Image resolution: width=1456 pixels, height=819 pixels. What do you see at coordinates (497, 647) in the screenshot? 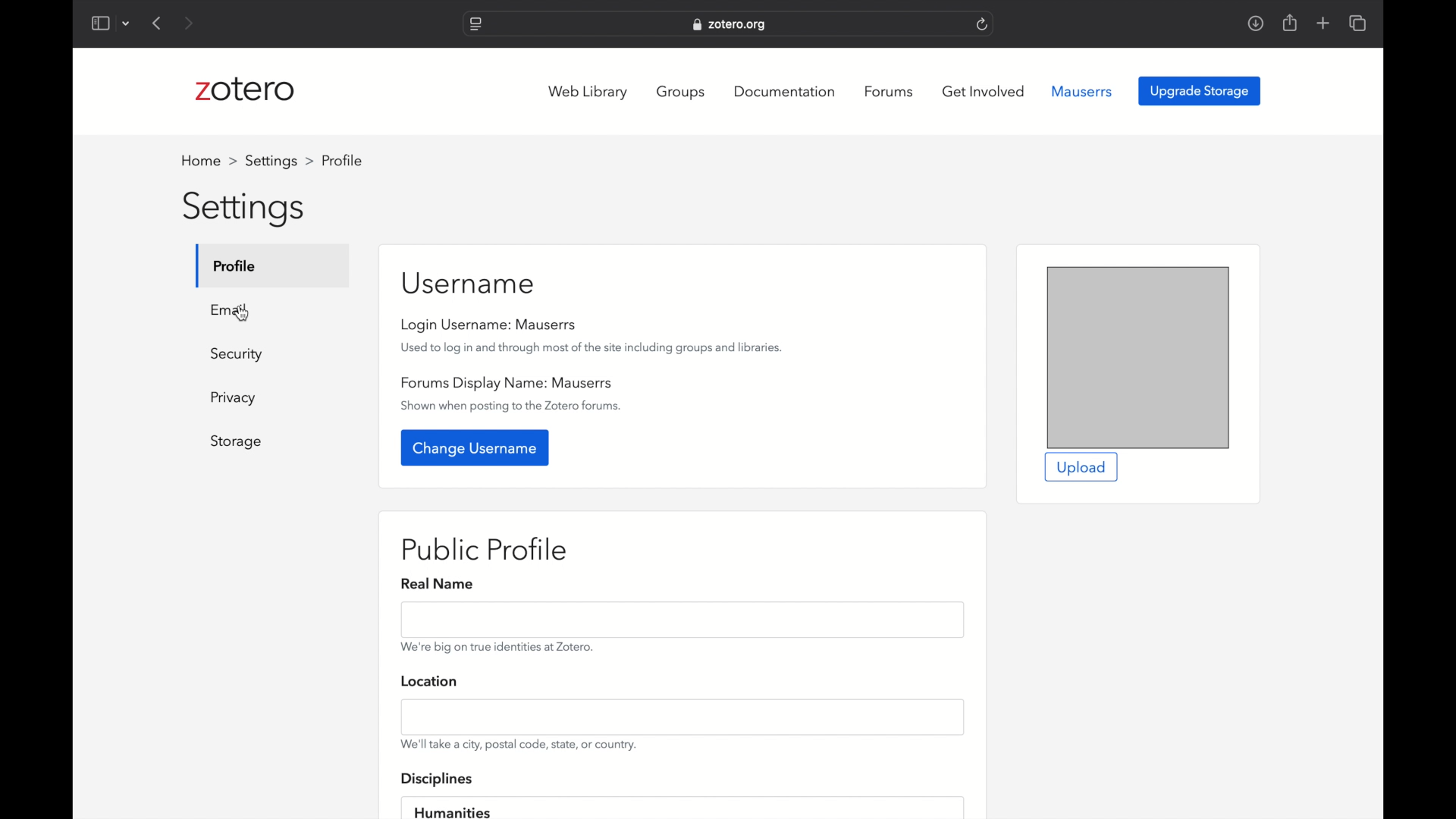
I see `we're big on true identities at zotero` at bounding box center [497, 647].